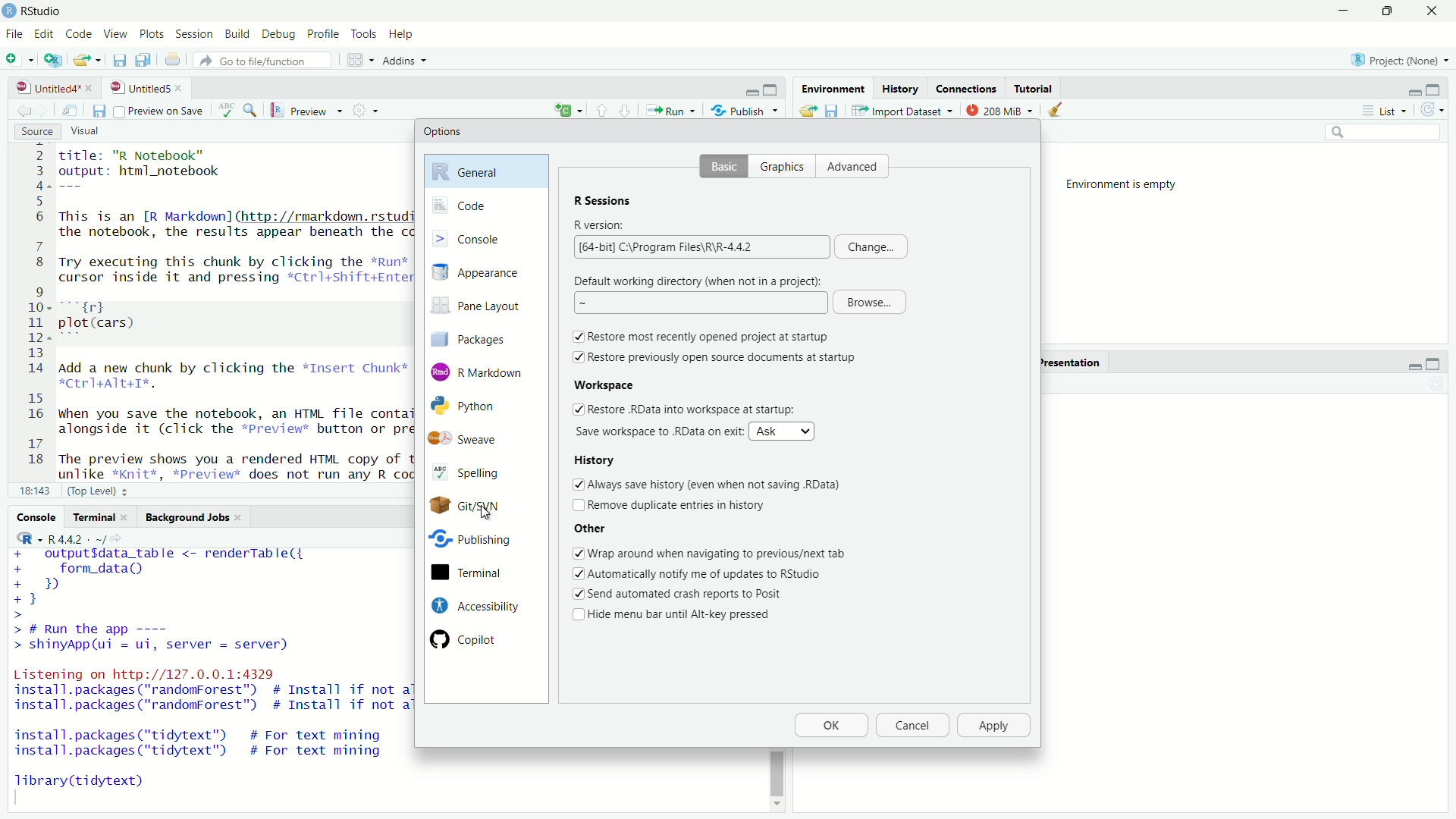  I want to click on Go to file/function, so click(266, 61).